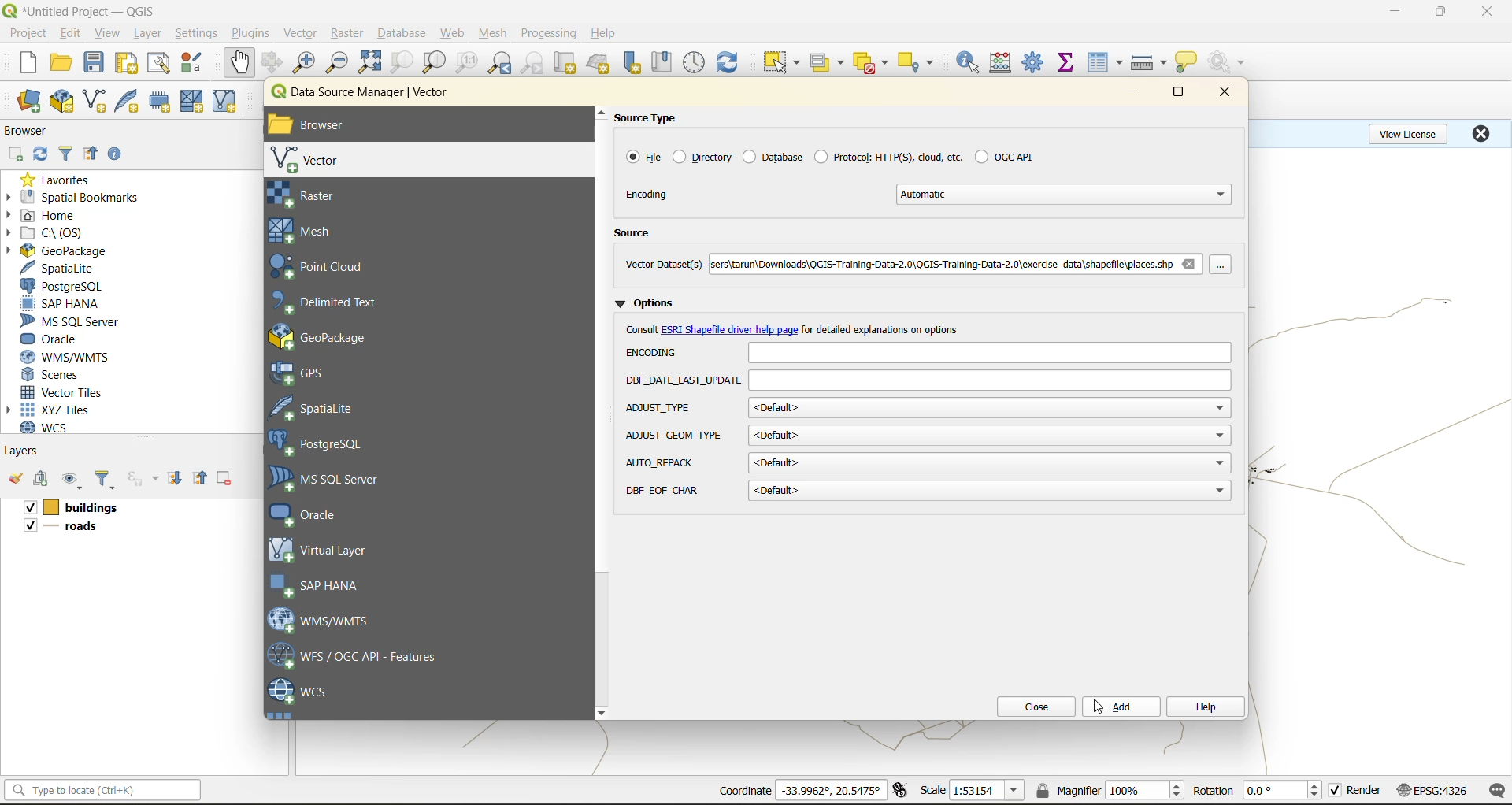  Describe the element at coordinates (43, 480) in the screenshot. I see `add` at that location.